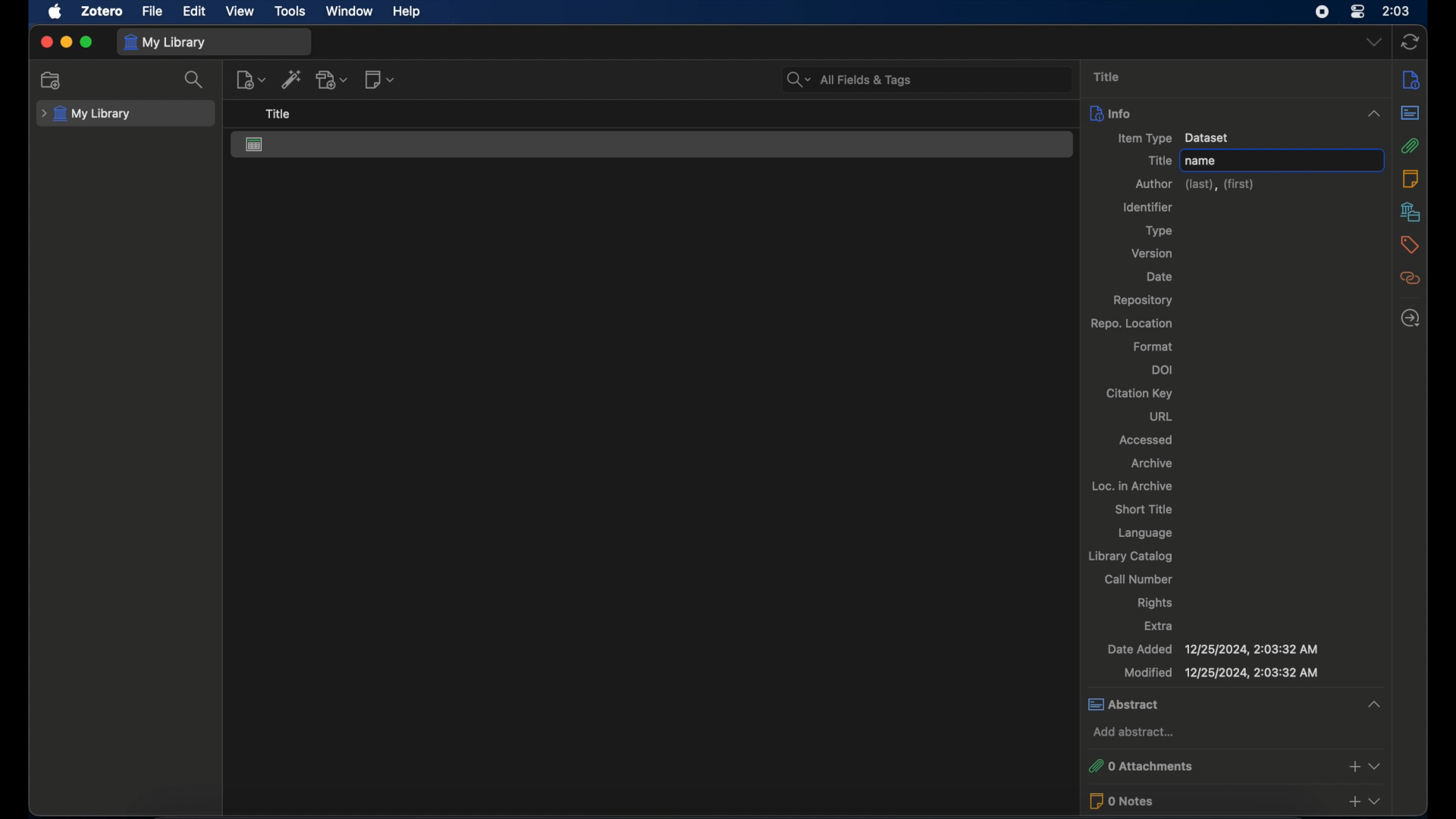  What do you see at coordinates (1153, 347) in the screenshot?
I see `format` at bounding box center [1153, 347].